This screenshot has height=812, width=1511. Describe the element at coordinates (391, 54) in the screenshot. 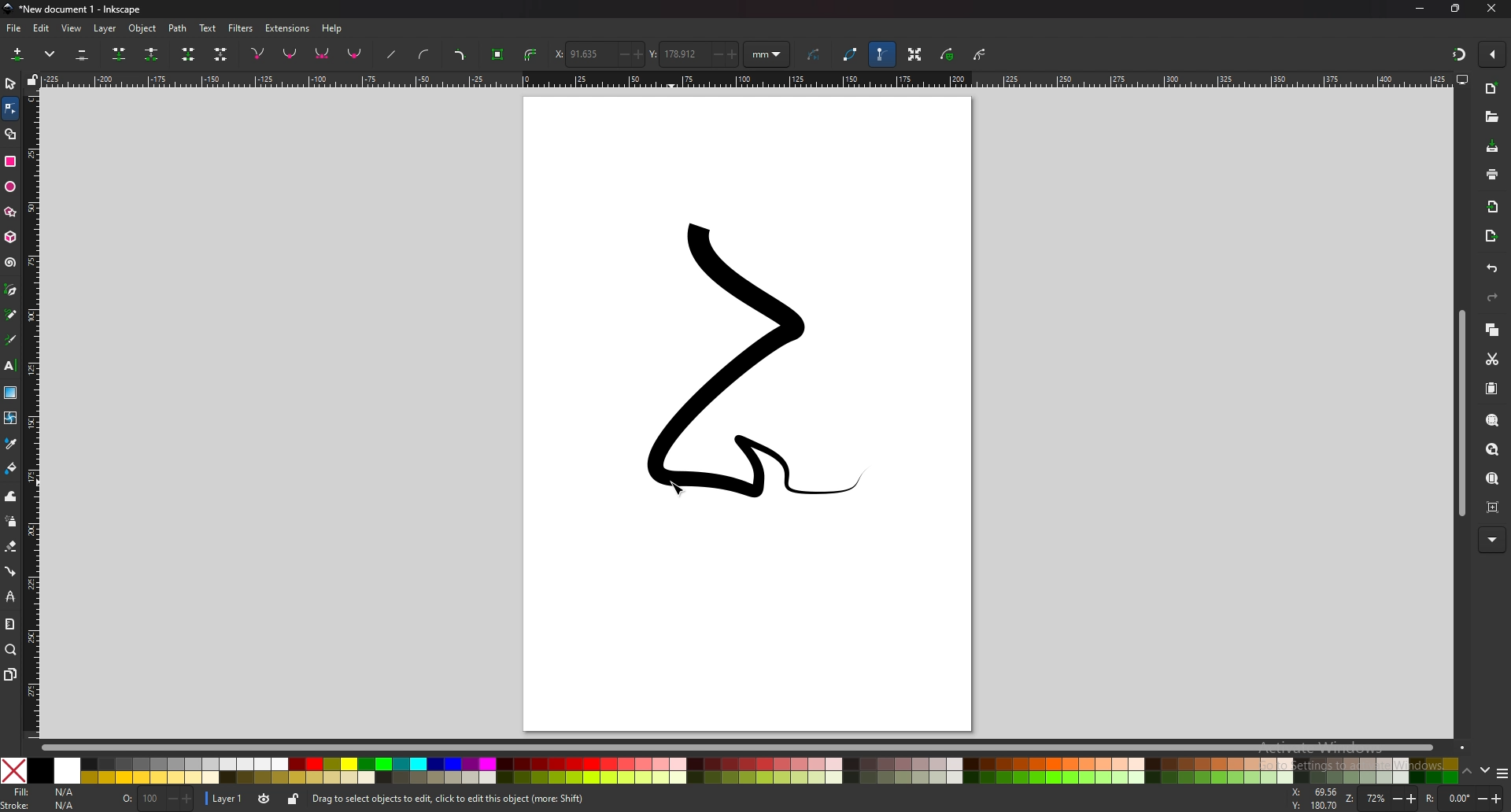

I see `straighten lines` at that location.